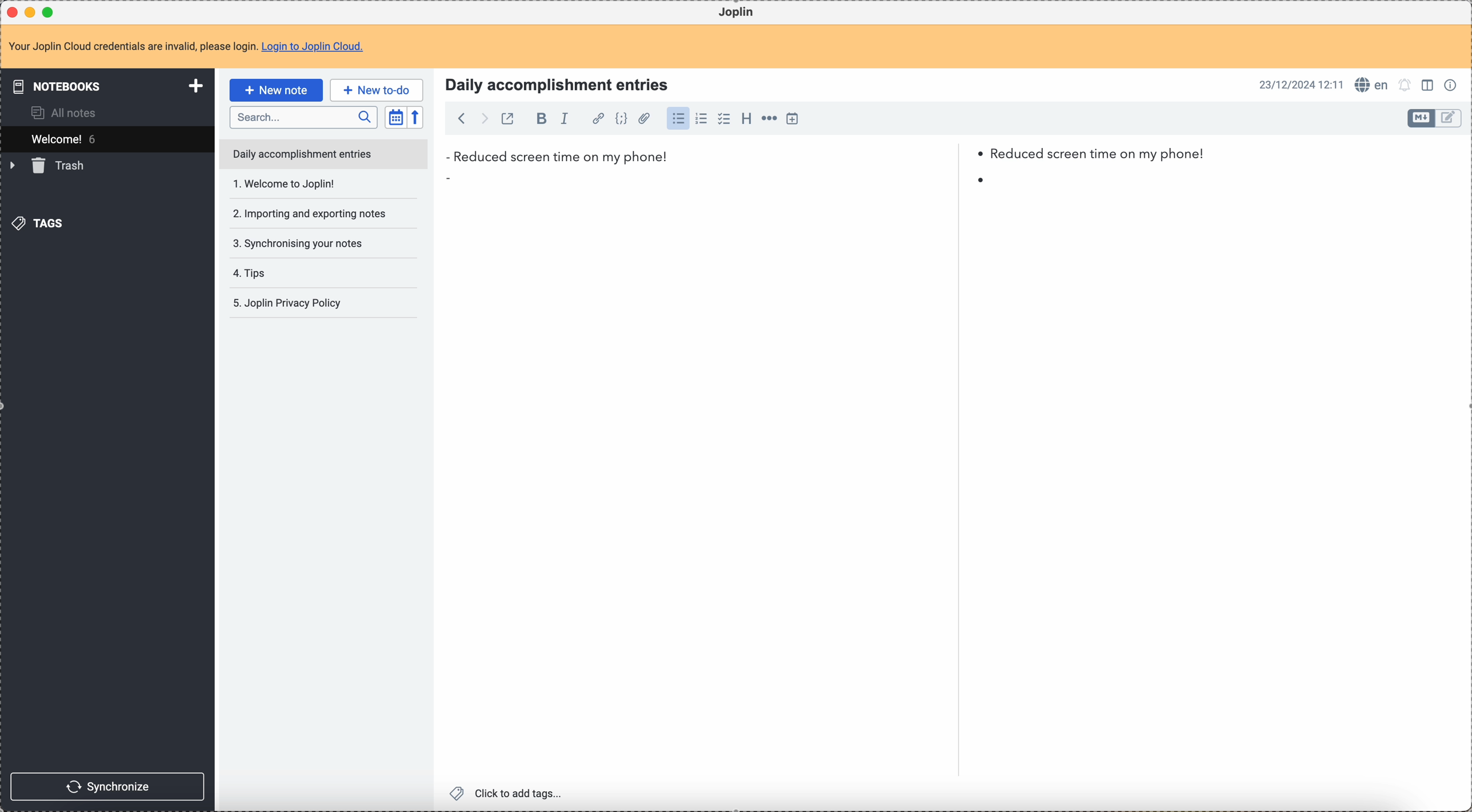  What do you see at coordinates (769, 120) in the screenshot?
I see `horizontal rule` at bounding box center [769, 120].